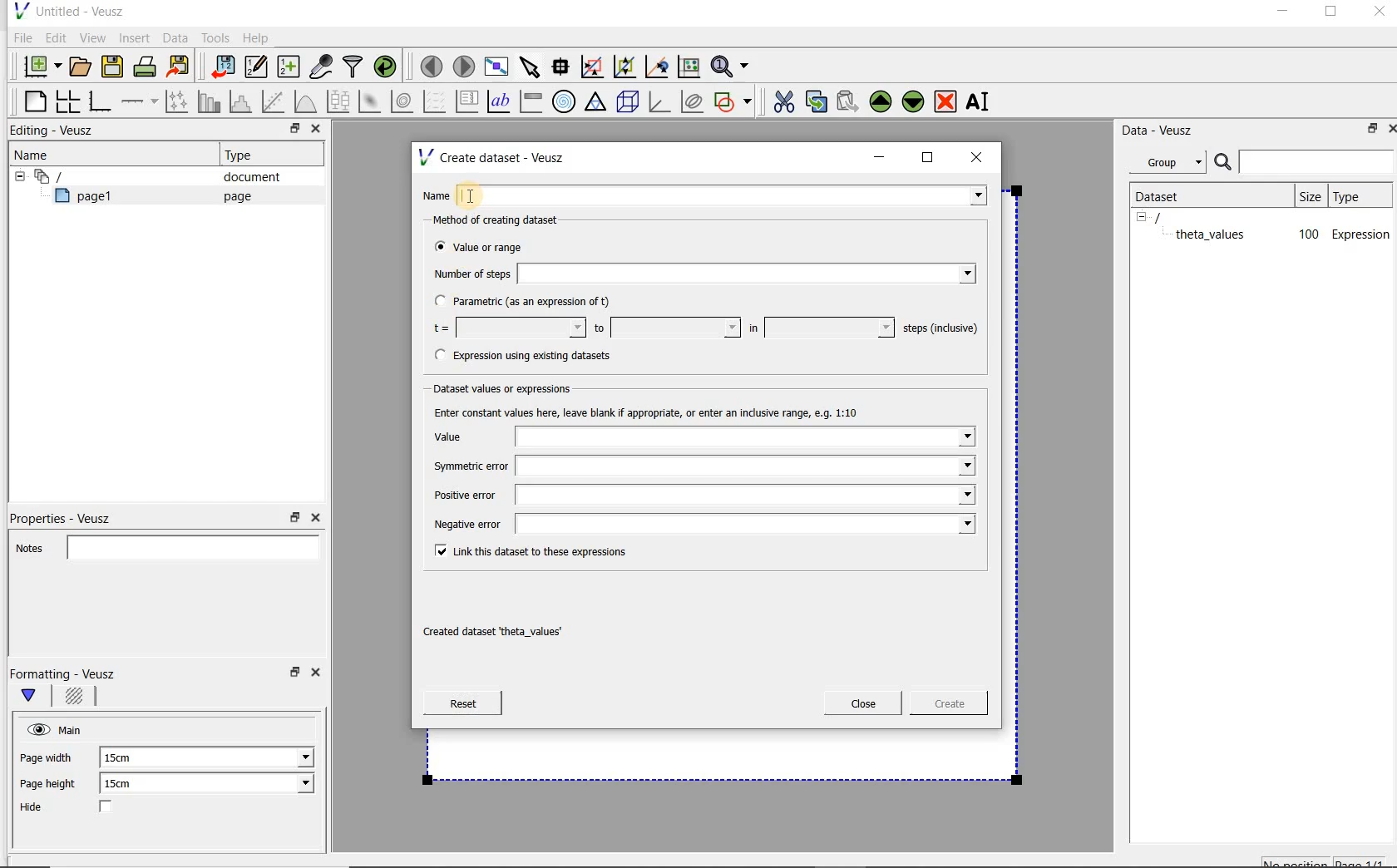 The width and height of the screenshot is (1397, 868). I want to click on theta_values, so click(1212, 234).